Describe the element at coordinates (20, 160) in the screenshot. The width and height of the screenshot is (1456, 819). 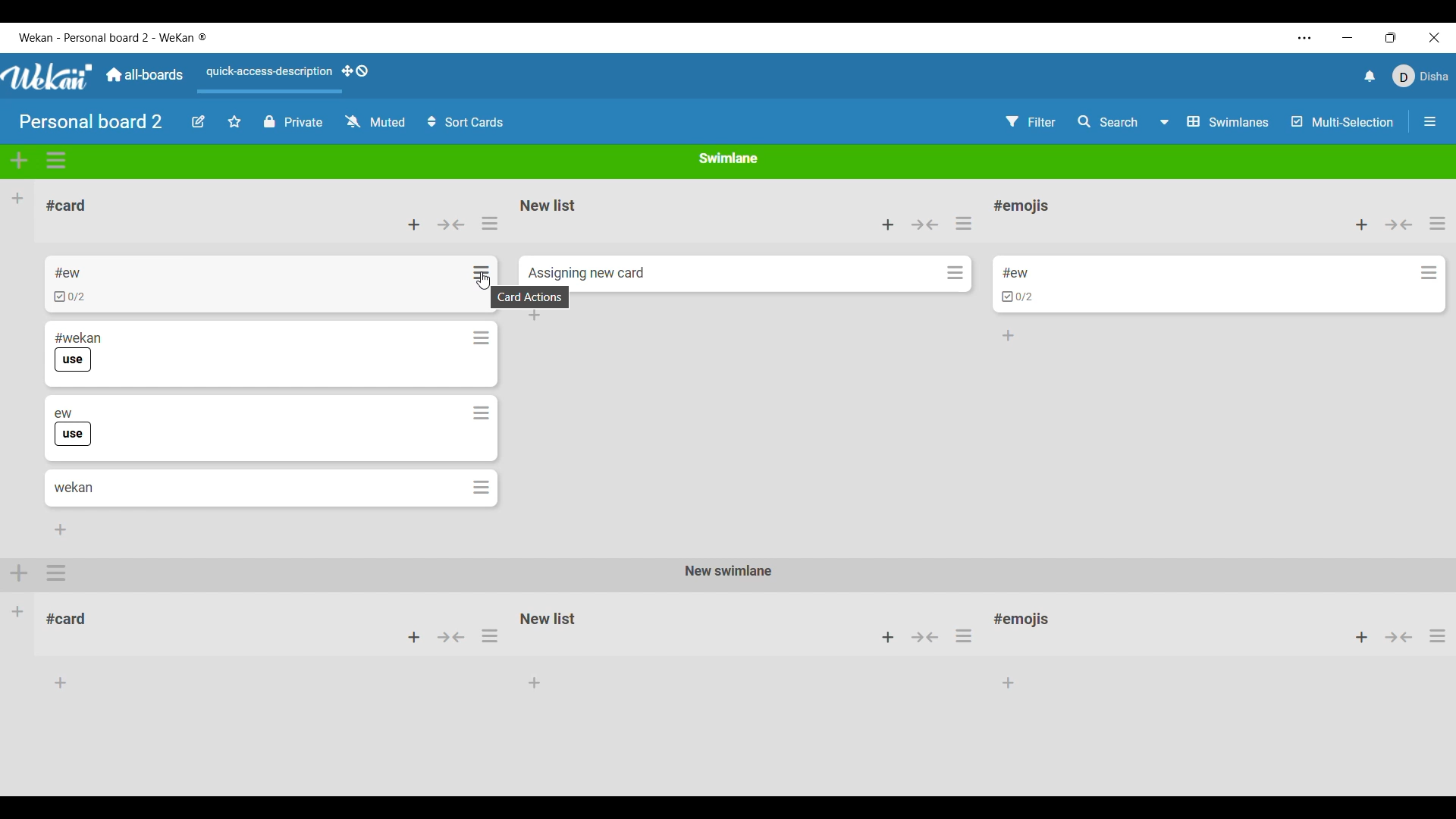
I see `Add swimlane` at that location.